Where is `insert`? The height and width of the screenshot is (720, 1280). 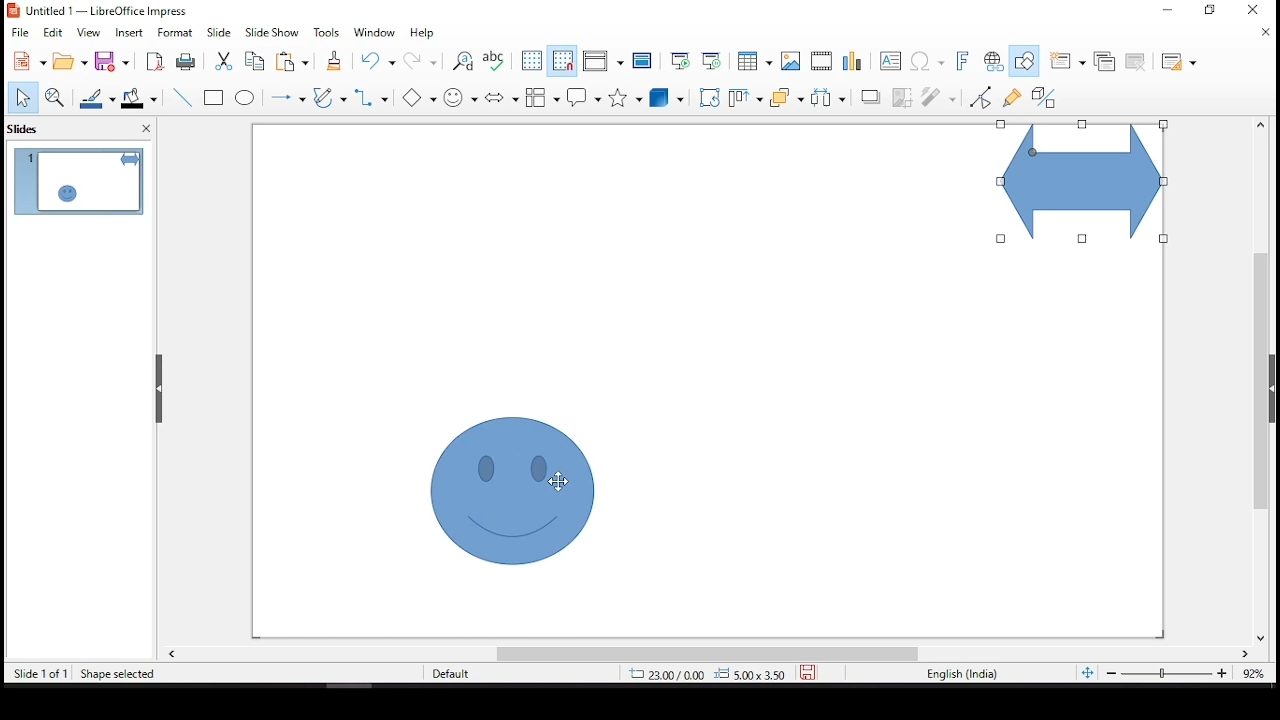 insert is located at coordinates (131, 33).